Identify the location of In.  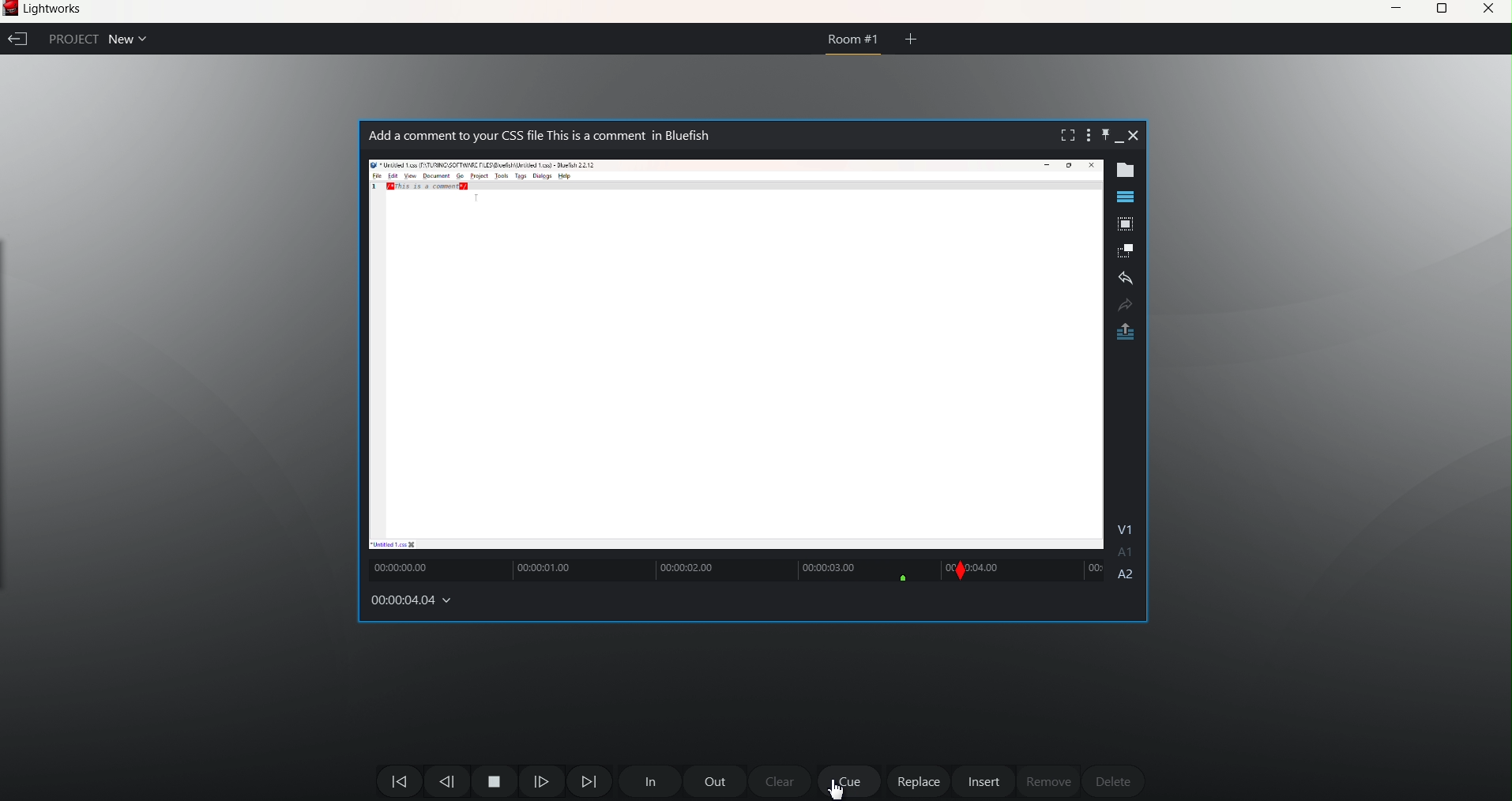
(648, 782).